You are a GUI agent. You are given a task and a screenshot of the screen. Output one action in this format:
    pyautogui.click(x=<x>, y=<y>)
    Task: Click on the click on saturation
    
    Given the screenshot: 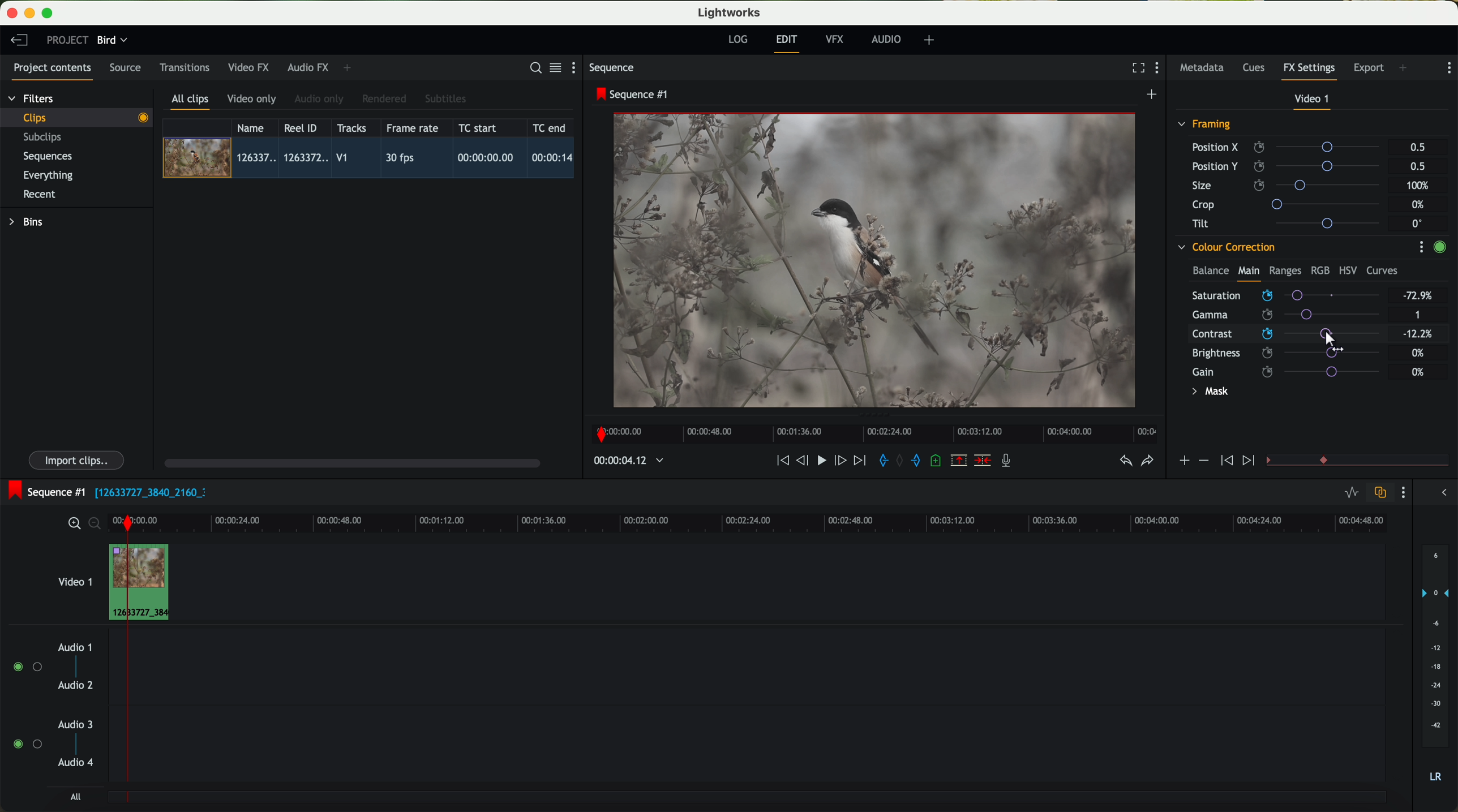 What is the action you would take?
    pyautogui.click(x=1280, y=315)
    